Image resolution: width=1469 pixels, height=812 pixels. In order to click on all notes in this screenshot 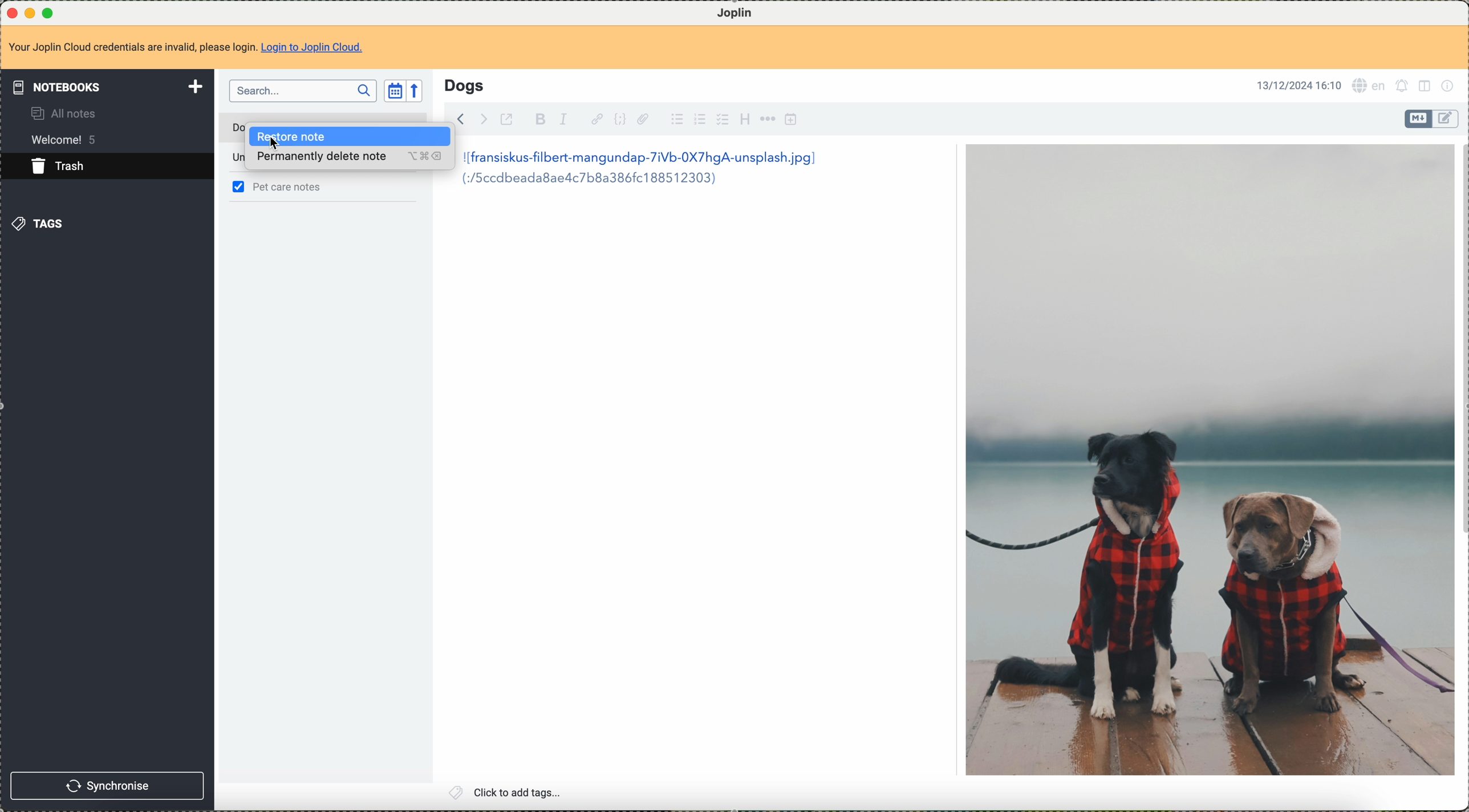, I will do `click(66, 113)`.